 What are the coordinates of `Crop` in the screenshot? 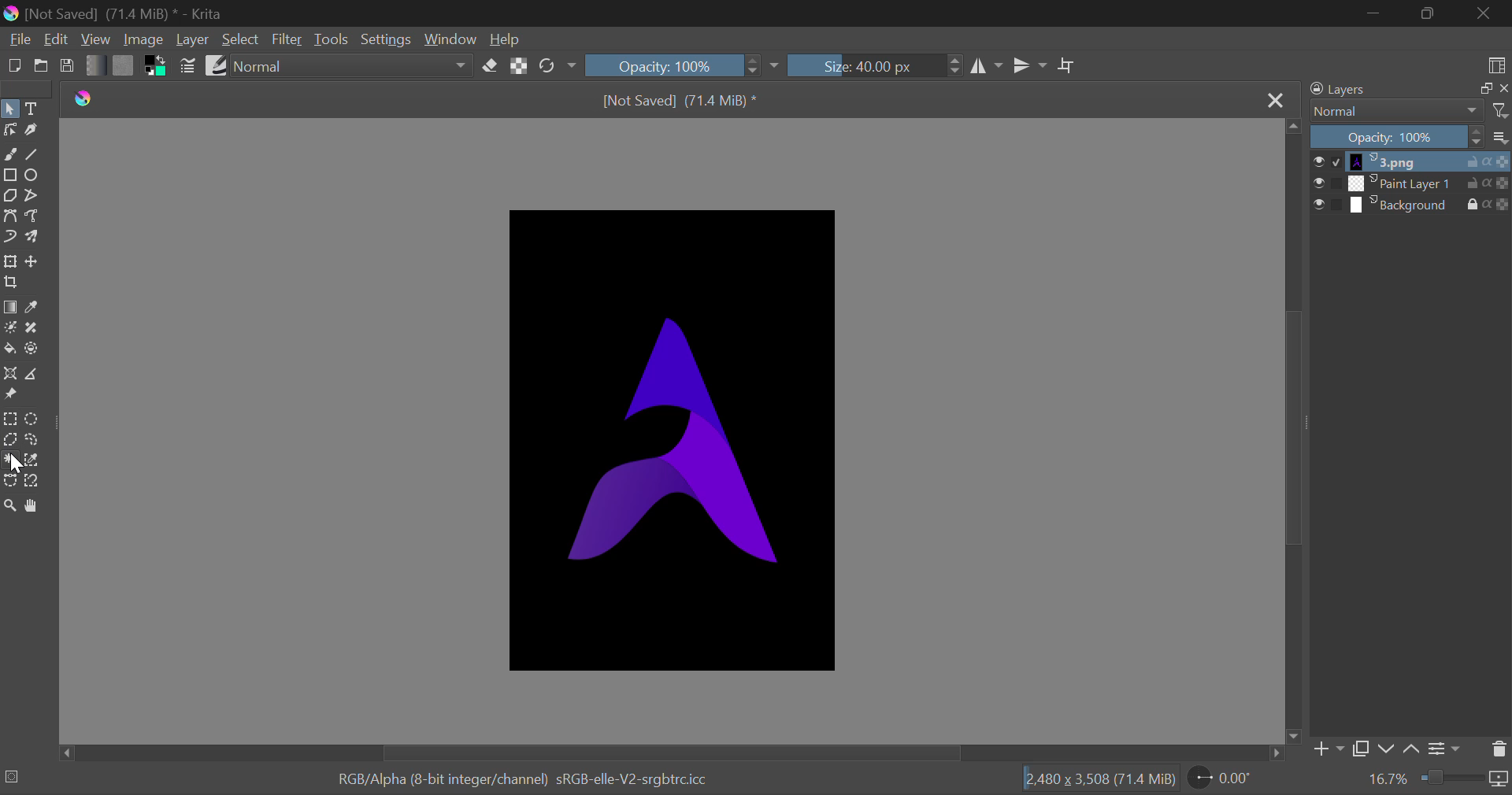 It's located at (13, 283).